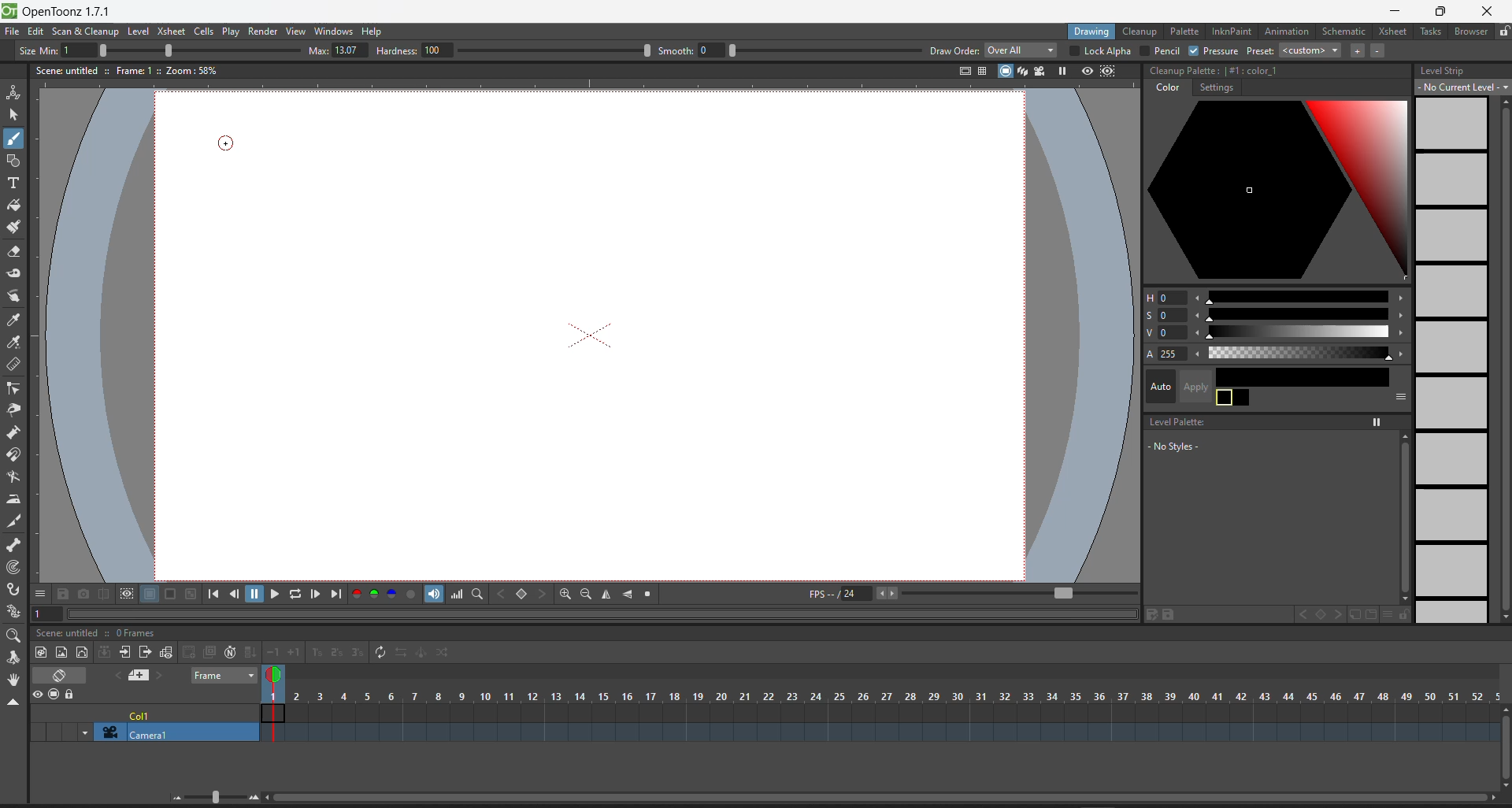  Describe the element at coordinates (1359, 614) in the screenshot. I see `new style` at that location.